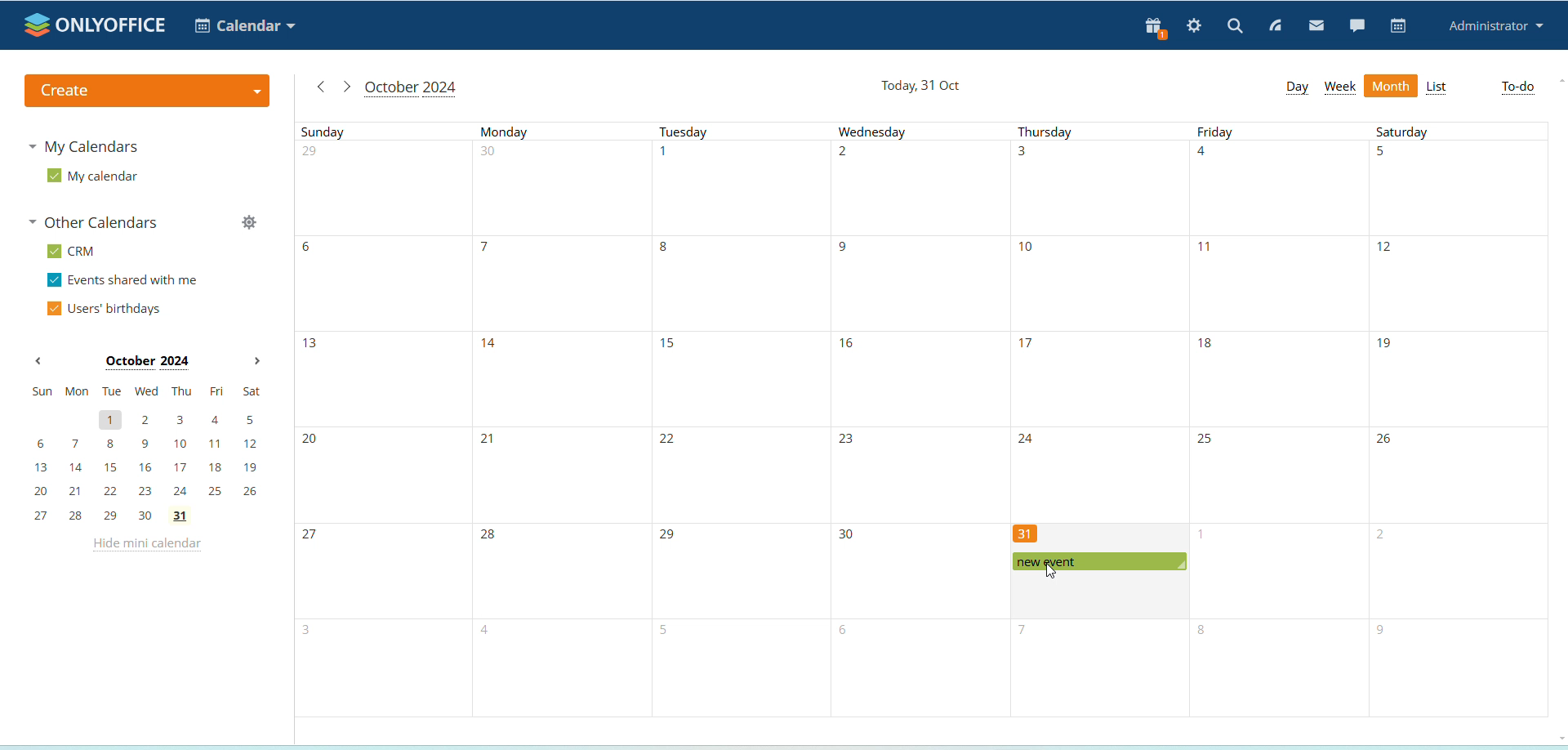 This screenshot has width=1568, height=750. I want to click on events shared with me, so click(126, 281).